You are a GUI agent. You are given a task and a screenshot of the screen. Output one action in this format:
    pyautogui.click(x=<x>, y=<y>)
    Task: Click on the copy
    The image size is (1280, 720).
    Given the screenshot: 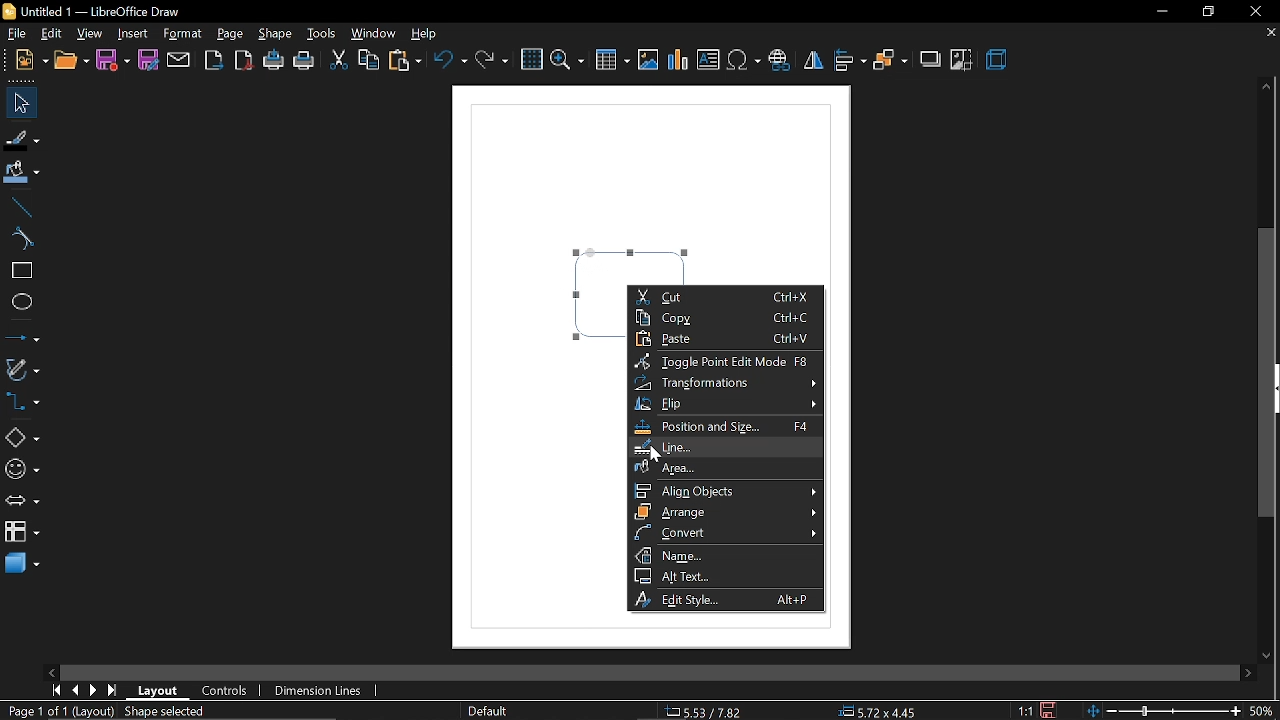 What is the action you would take?
    pyautogui.click(x=726, y=317)
    